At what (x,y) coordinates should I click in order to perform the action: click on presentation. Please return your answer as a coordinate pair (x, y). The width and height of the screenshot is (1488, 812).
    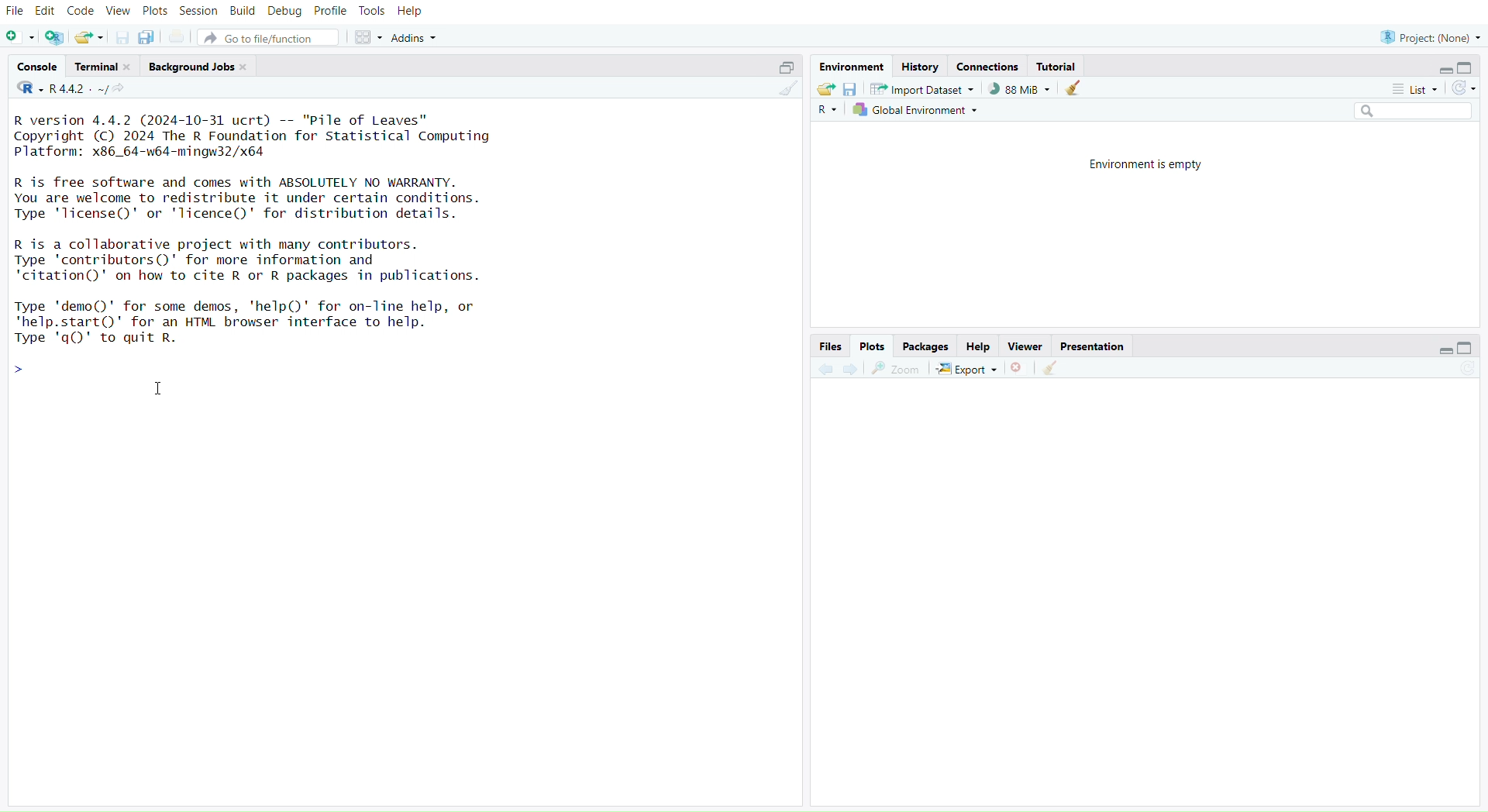
    Looking at the image, I should click on (1092, 347).